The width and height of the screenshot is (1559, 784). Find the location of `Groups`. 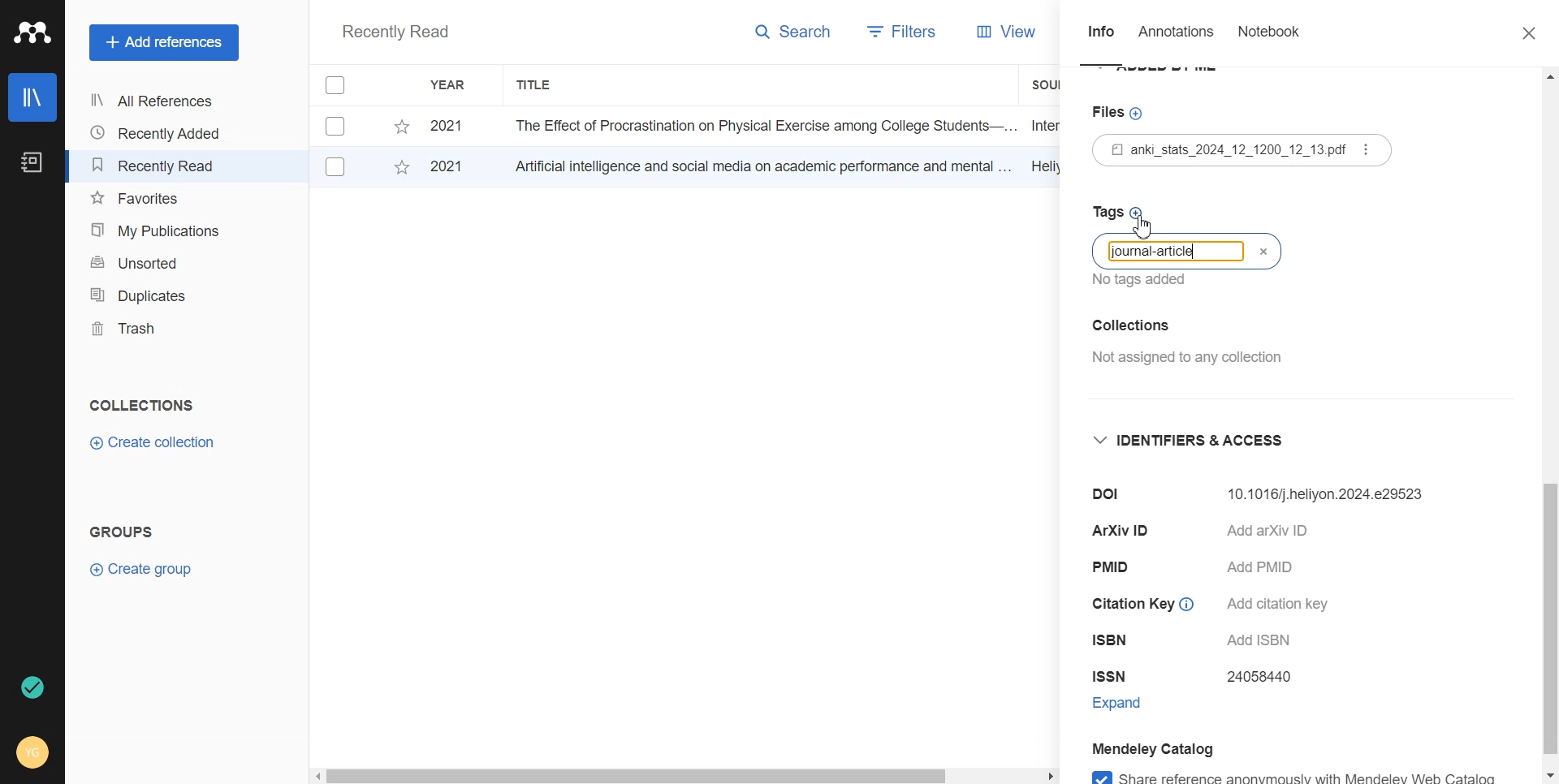

Groups is located at coordinates (126, 532).